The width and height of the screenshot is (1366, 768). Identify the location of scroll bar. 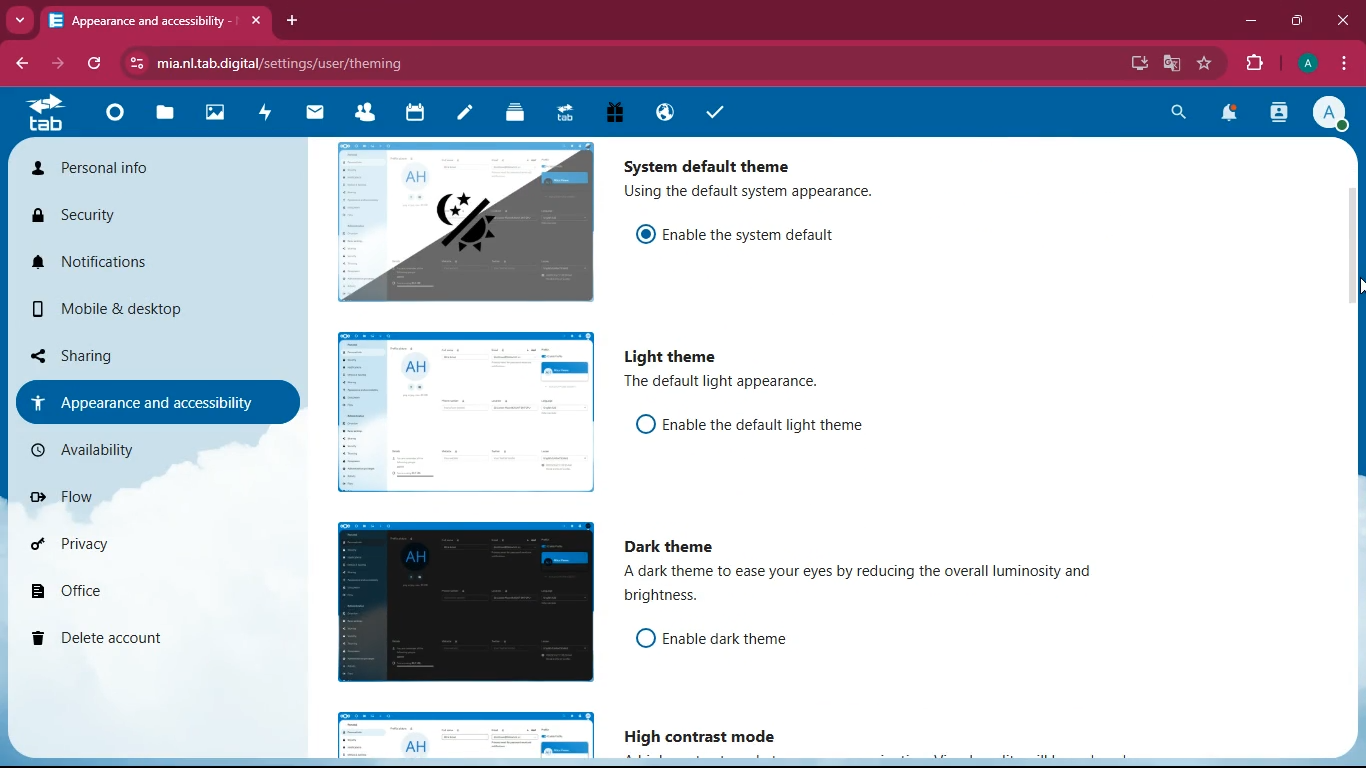
(1356, 342).